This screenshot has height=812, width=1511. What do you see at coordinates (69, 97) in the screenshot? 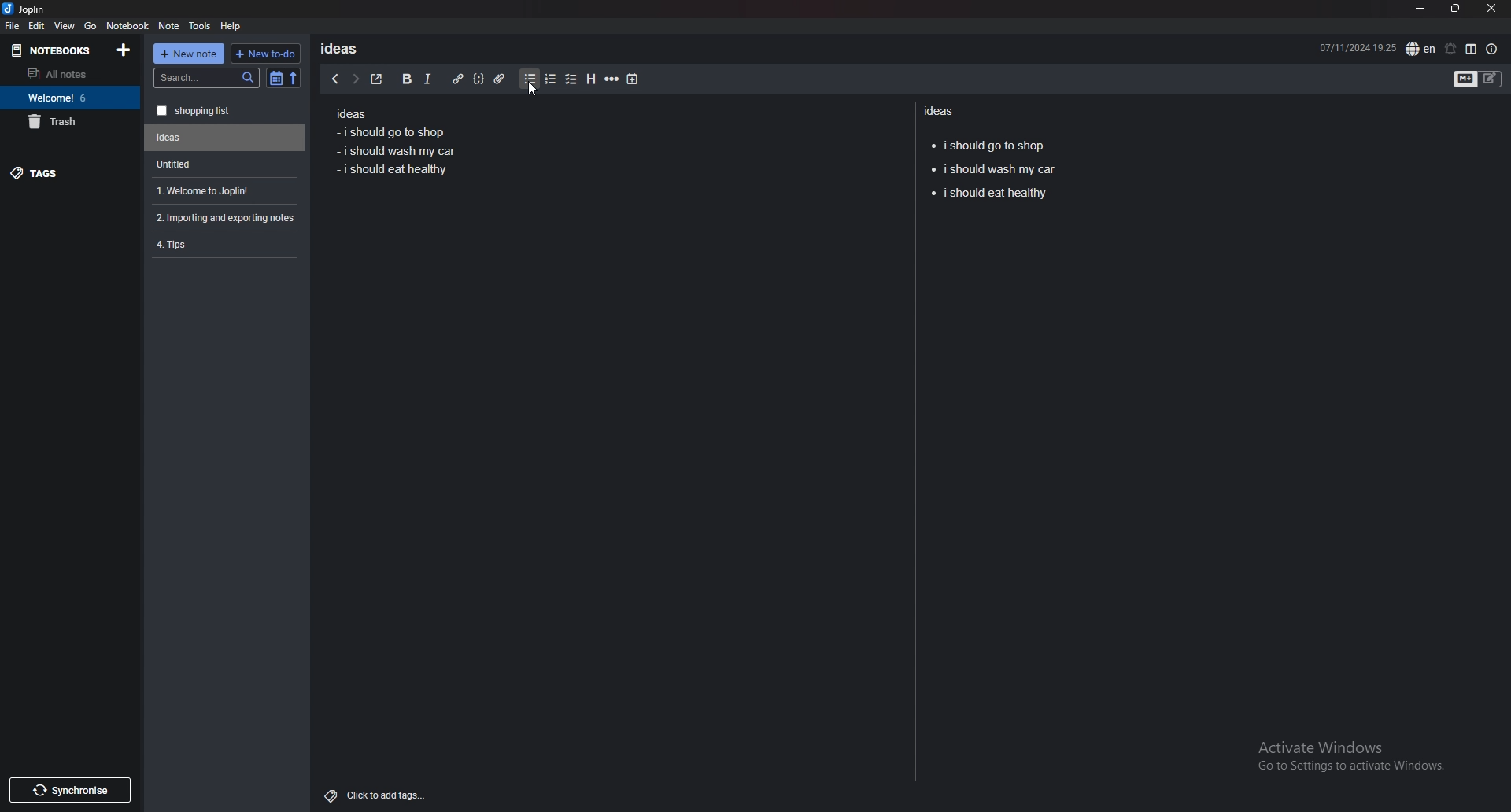
I see `Welcome` at bounding box center [69, 97].